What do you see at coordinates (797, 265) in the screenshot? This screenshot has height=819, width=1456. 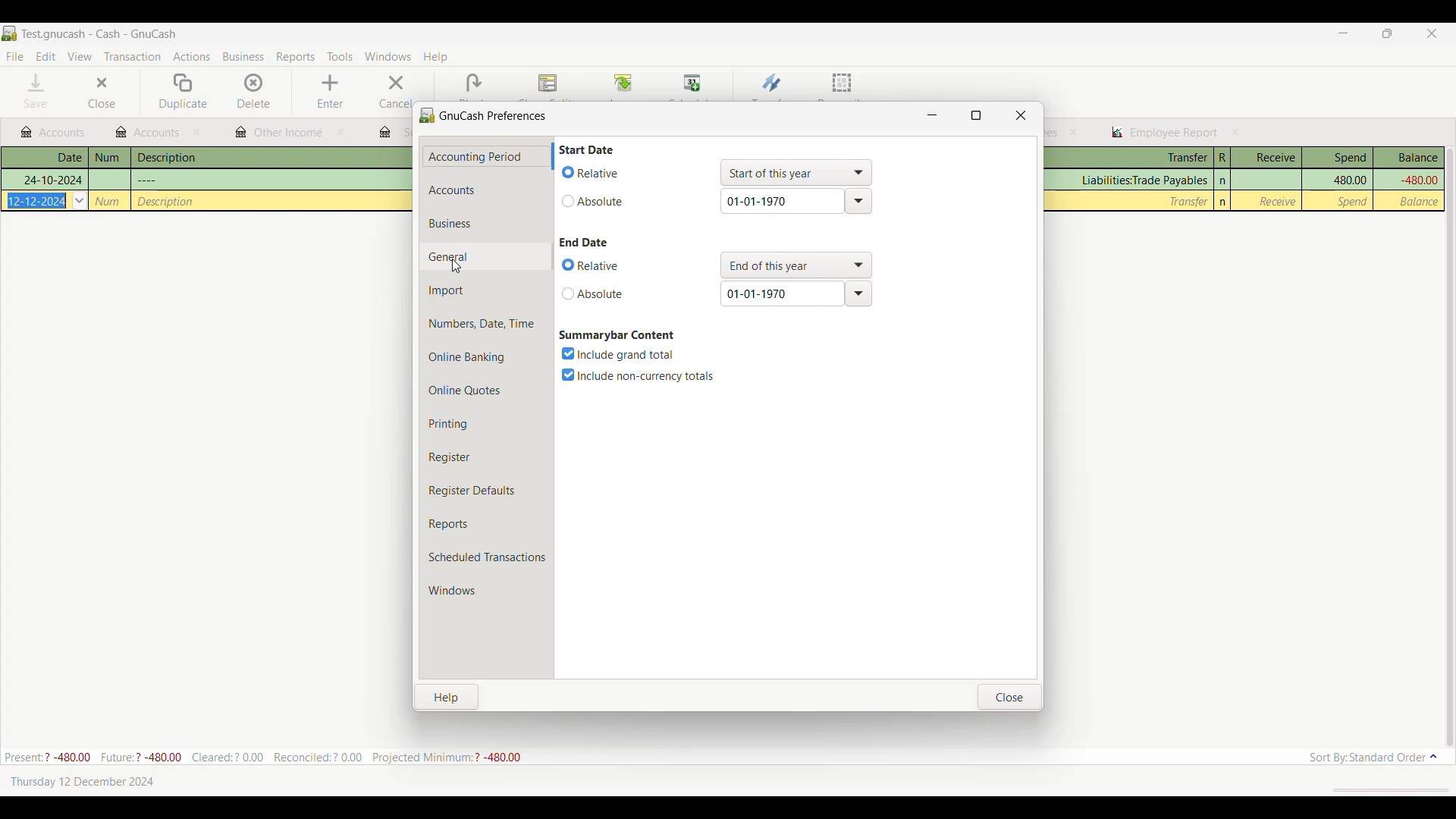 I see `Click to see respective options` at bounding box center [797, 265].